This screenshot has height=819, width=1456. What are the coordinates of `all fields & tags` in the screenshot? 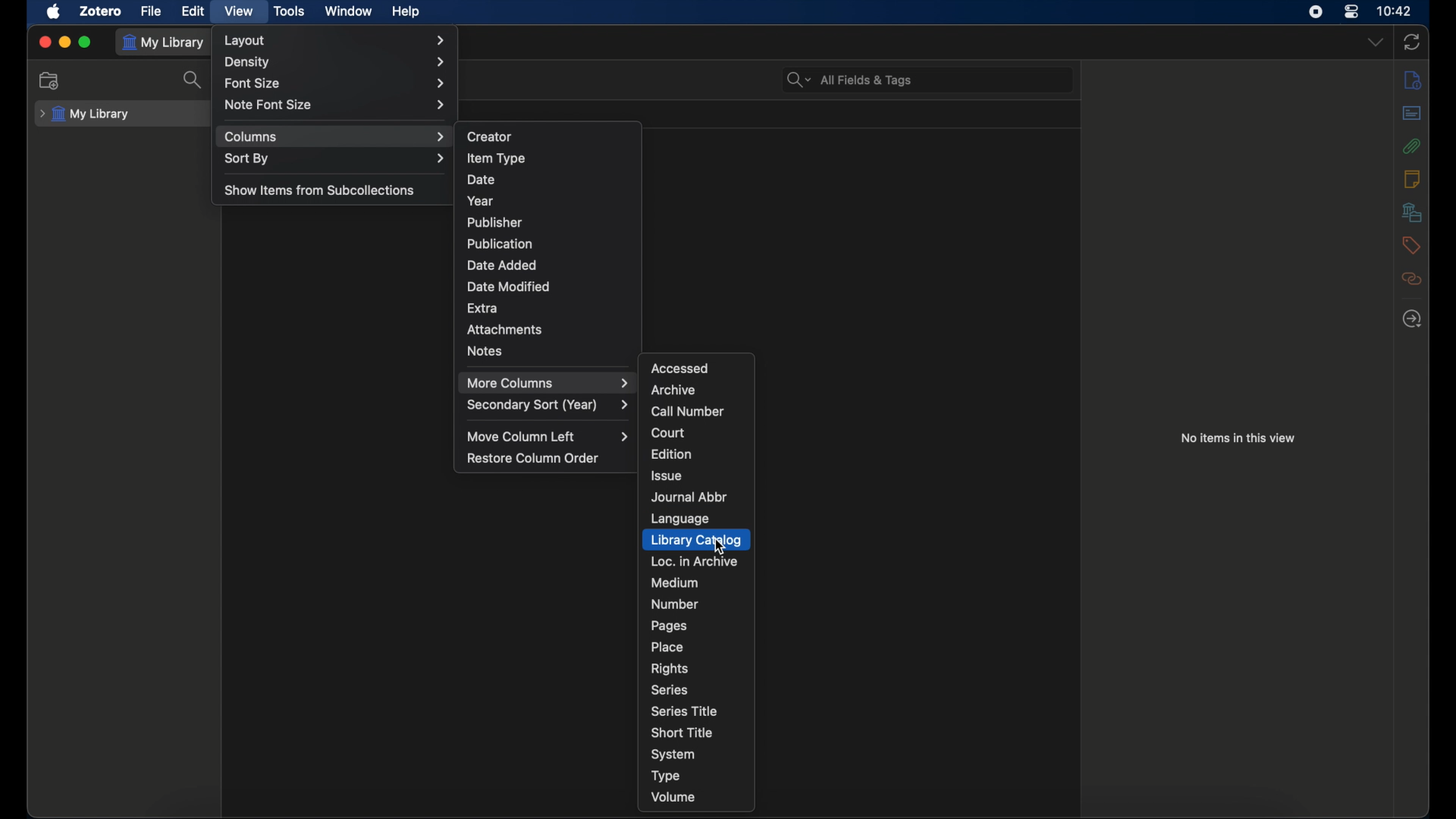 It's located at (849, 80).